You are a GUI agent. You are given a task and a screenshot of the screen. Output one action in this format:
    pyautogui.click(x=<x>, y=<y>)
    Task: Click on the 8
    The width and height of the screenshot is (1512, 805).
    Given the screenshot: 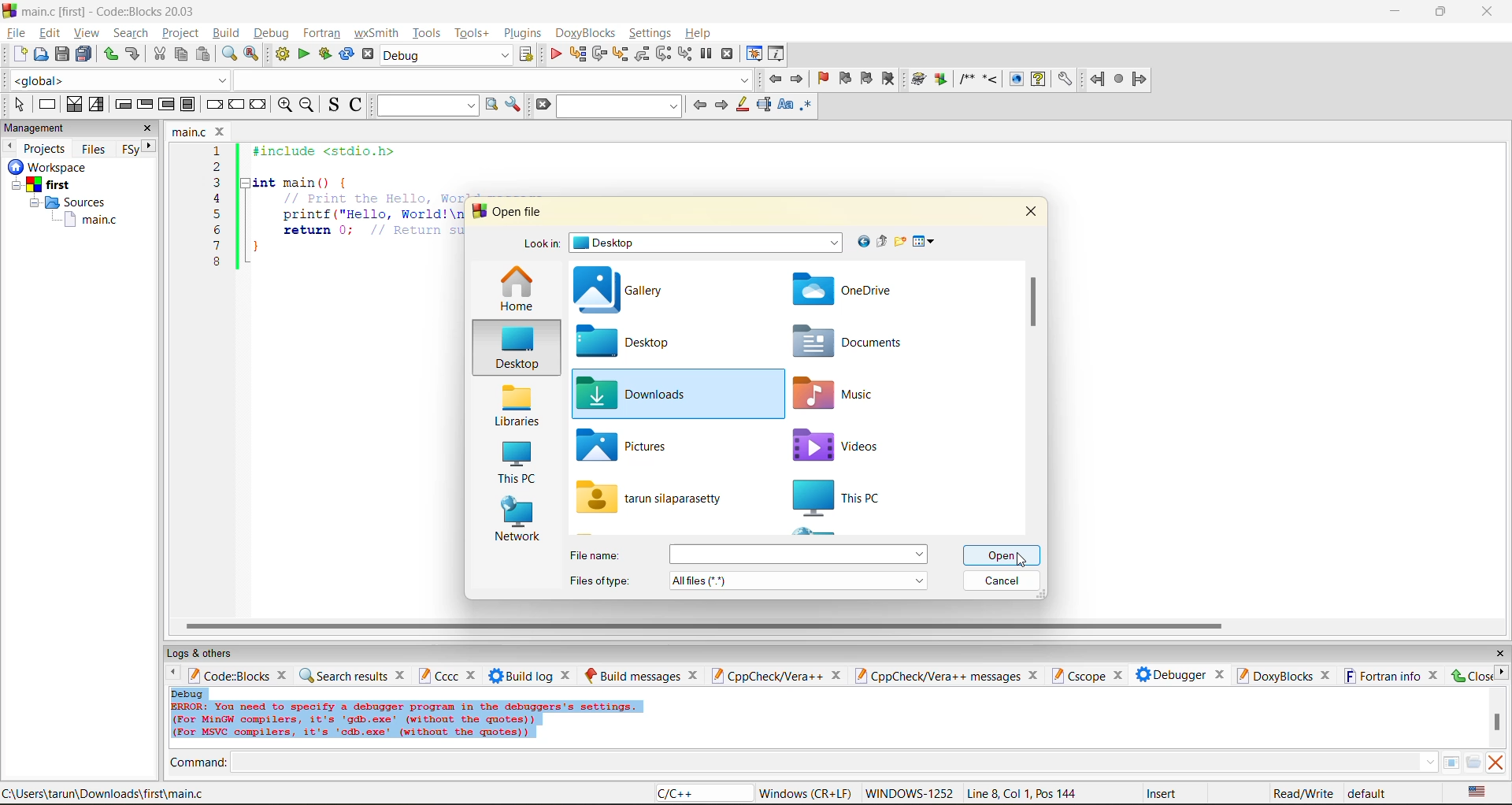 What is the action you would take?
    pyautogui.click(x=217, y=262)
    